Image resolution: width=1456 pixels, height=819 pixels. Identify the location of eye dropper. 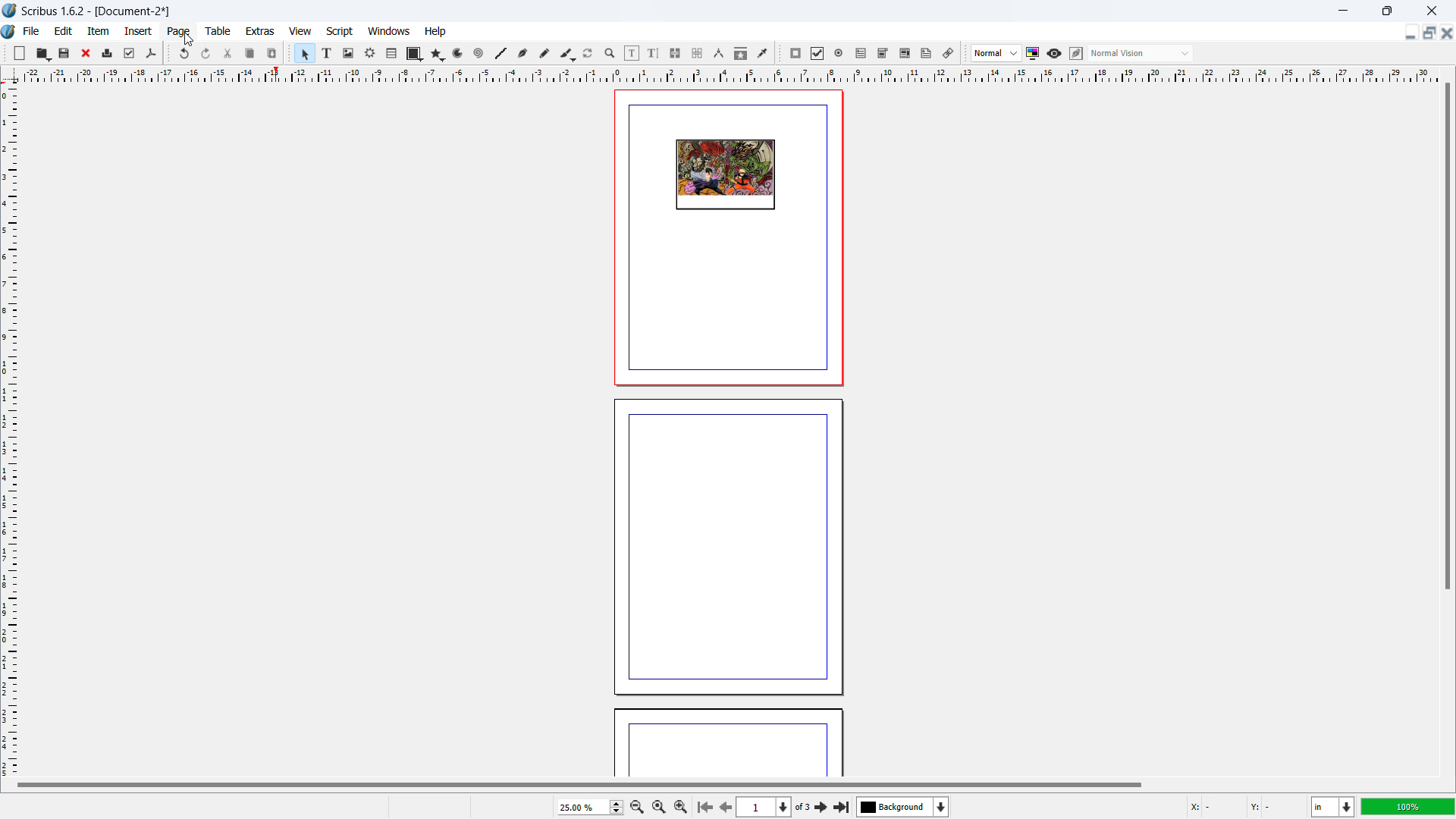
(764, 52).